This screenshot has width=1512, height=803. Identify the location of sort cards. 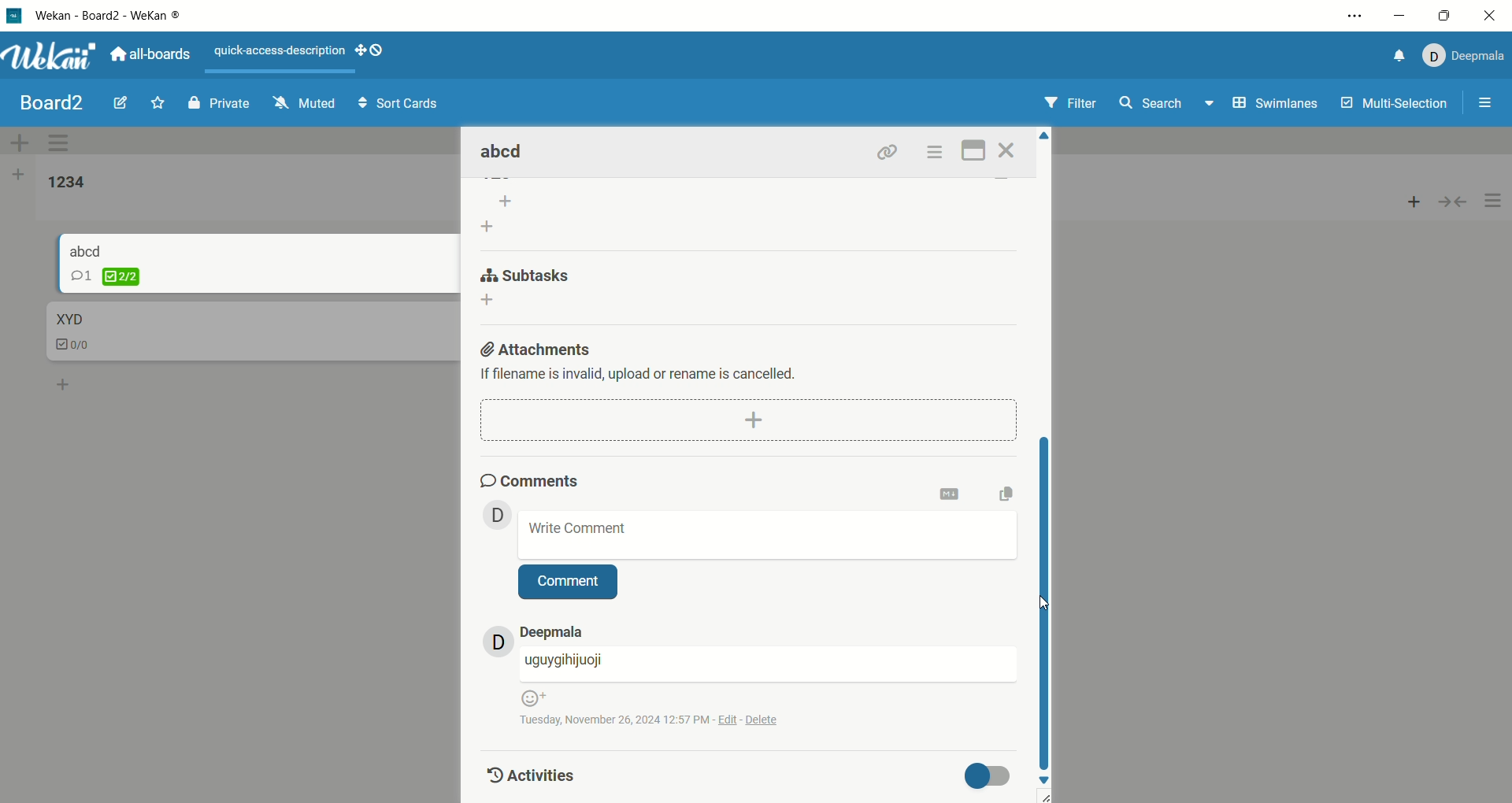
(398, 105).